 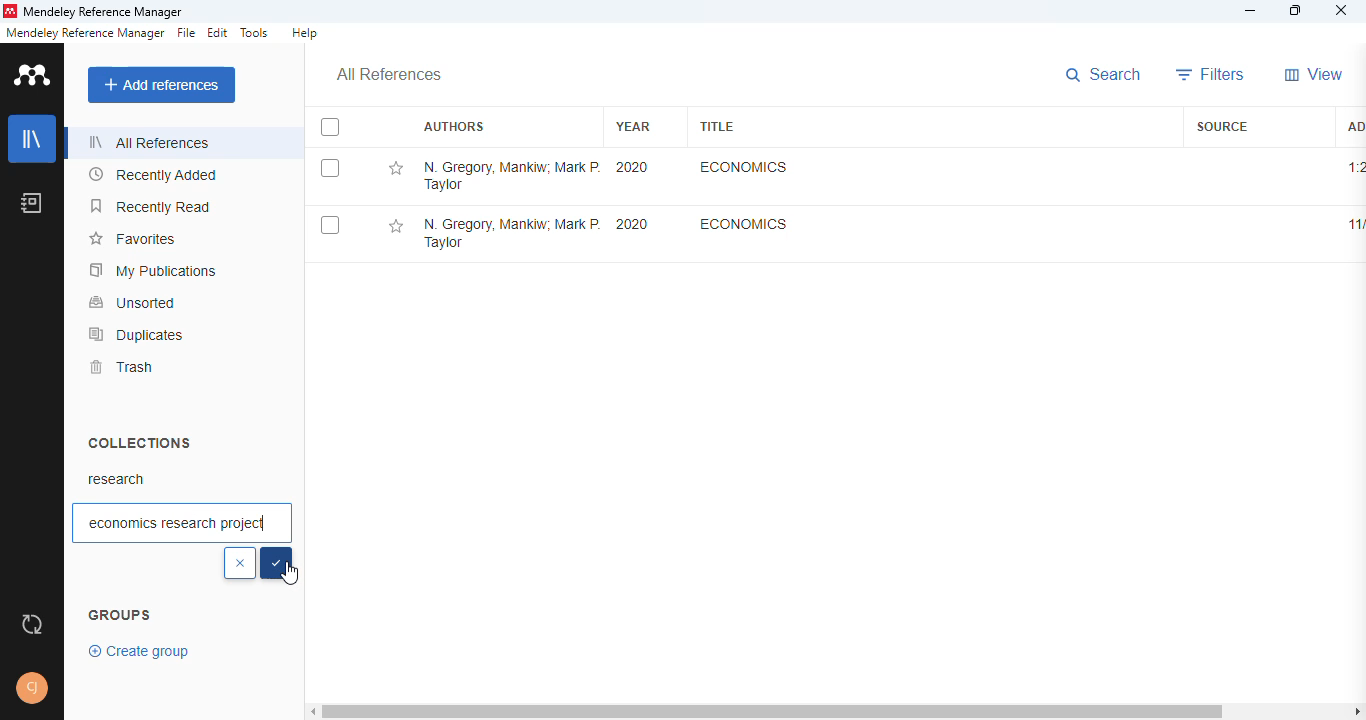 I want to click on file, so click(x=186, y=33).